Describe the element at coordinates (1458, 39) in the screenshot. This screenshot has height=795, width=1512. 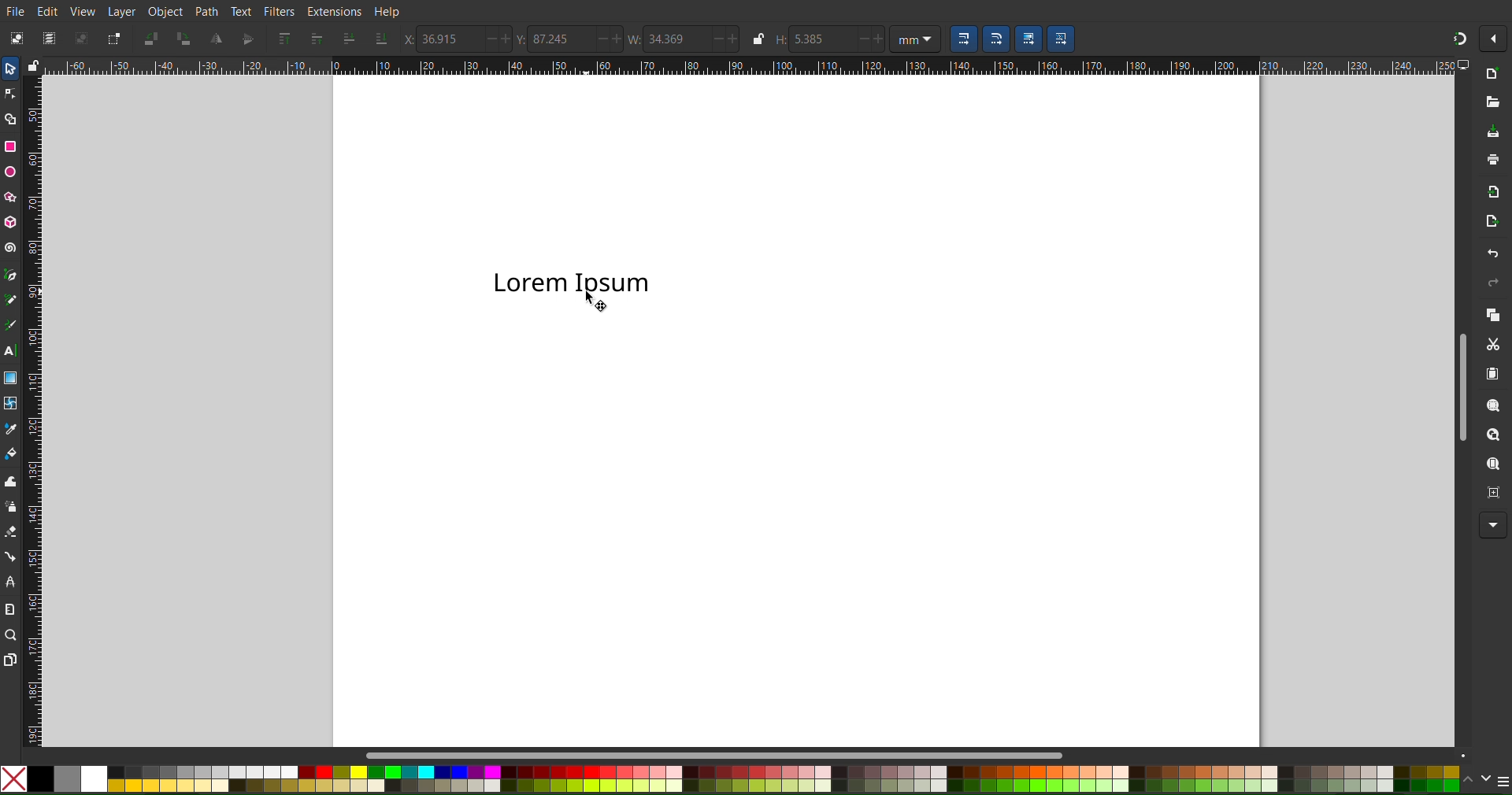
I see `Snapping` at that location.